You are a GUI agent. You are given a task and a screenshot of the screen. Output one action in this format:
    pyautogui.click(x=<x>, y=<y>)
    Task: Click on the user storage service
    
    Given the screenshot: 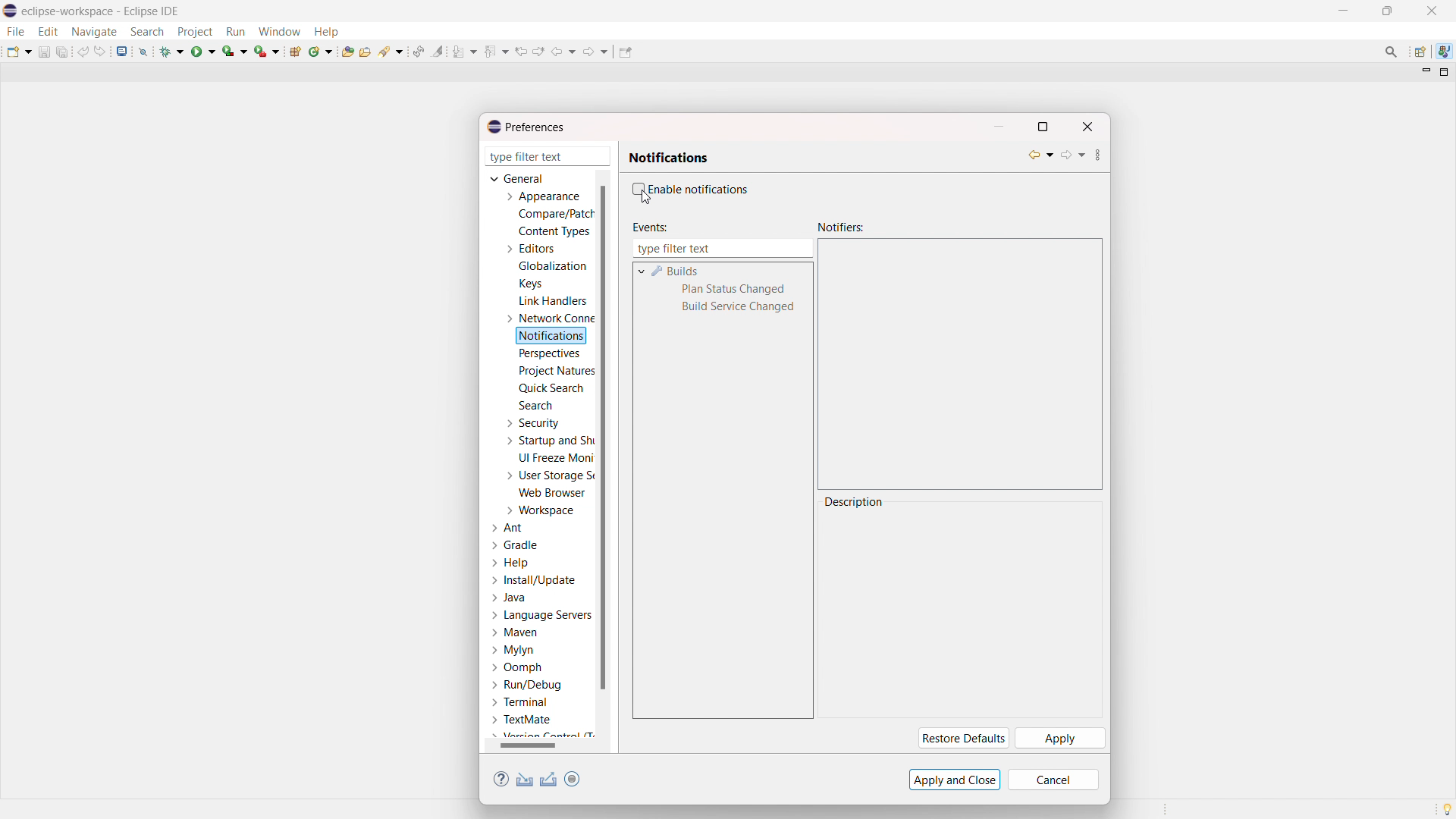 What is the action you would take?
    pyautogui.click(x=547, y=475)
    